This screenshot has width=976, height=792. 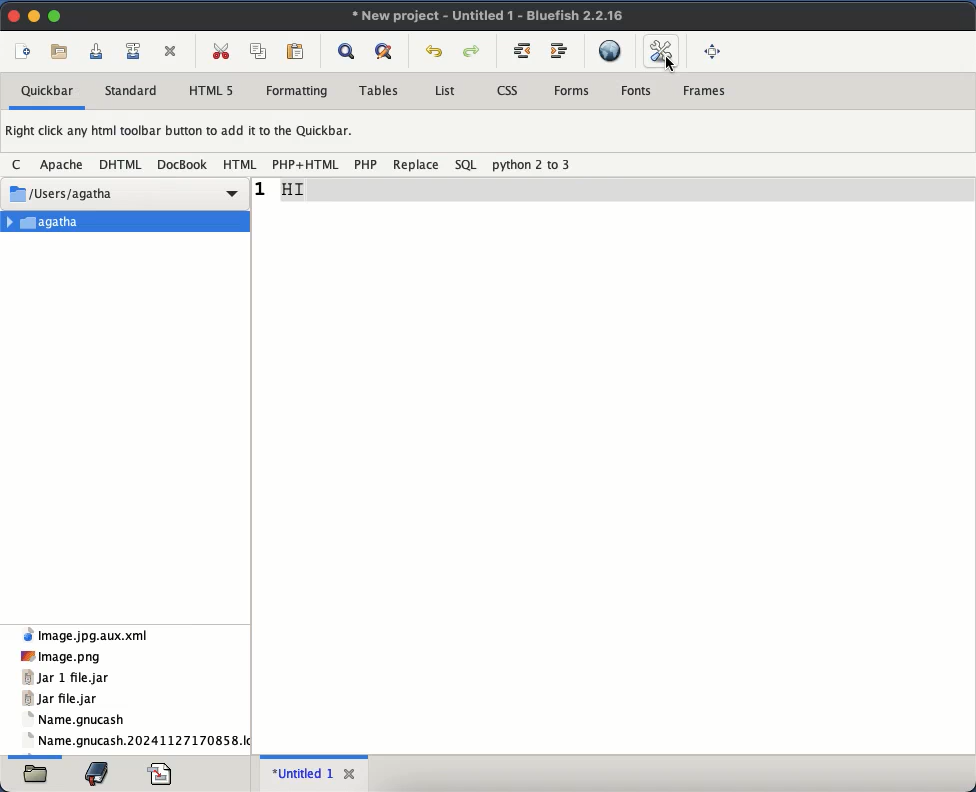 I want to click on quickbar, so click(x=48, y=90).